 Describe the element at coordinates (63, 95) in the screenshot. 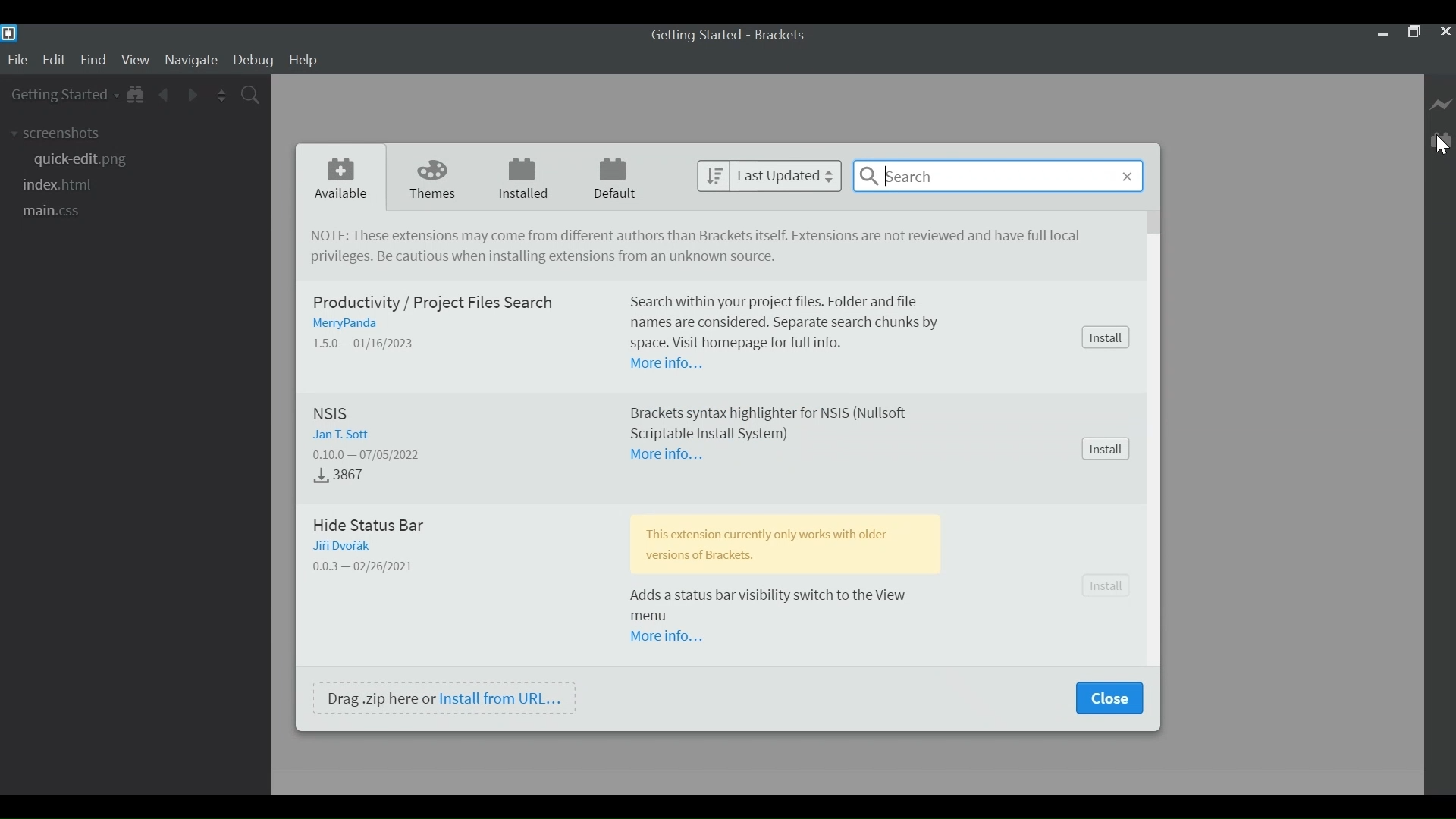

I see `Getting Started` at that location.